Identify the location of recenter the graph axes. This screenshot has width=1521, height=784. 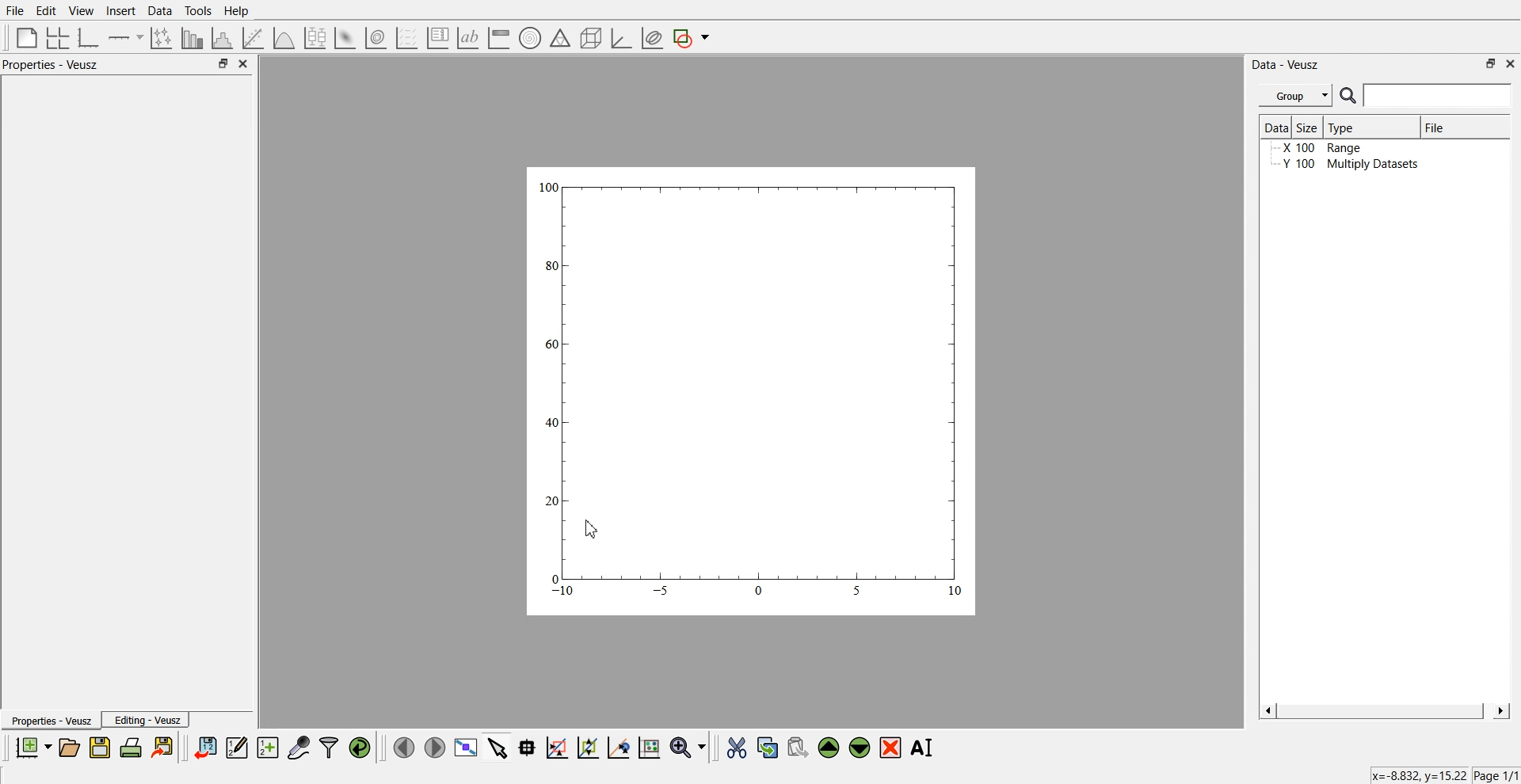
(618, 747).